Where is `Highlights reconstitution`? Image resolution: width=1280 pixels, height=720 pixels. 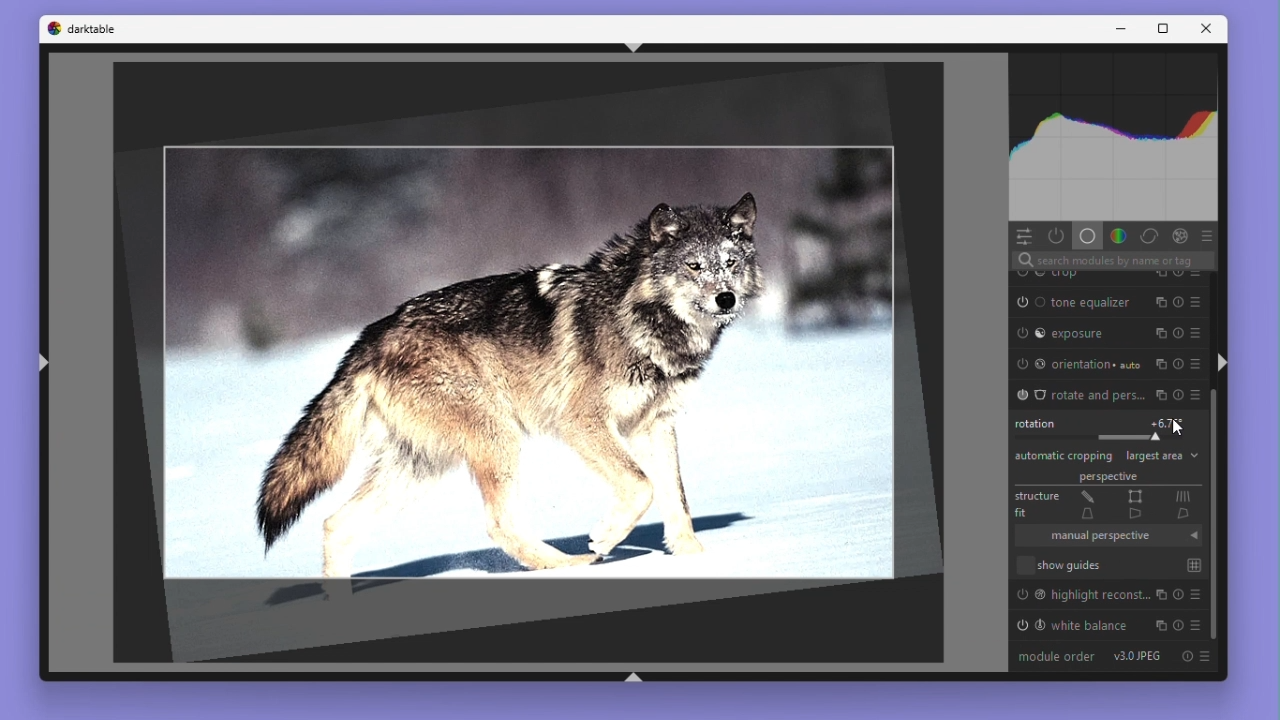
Highlights reconstitution is located at coordinates (1106, 595).